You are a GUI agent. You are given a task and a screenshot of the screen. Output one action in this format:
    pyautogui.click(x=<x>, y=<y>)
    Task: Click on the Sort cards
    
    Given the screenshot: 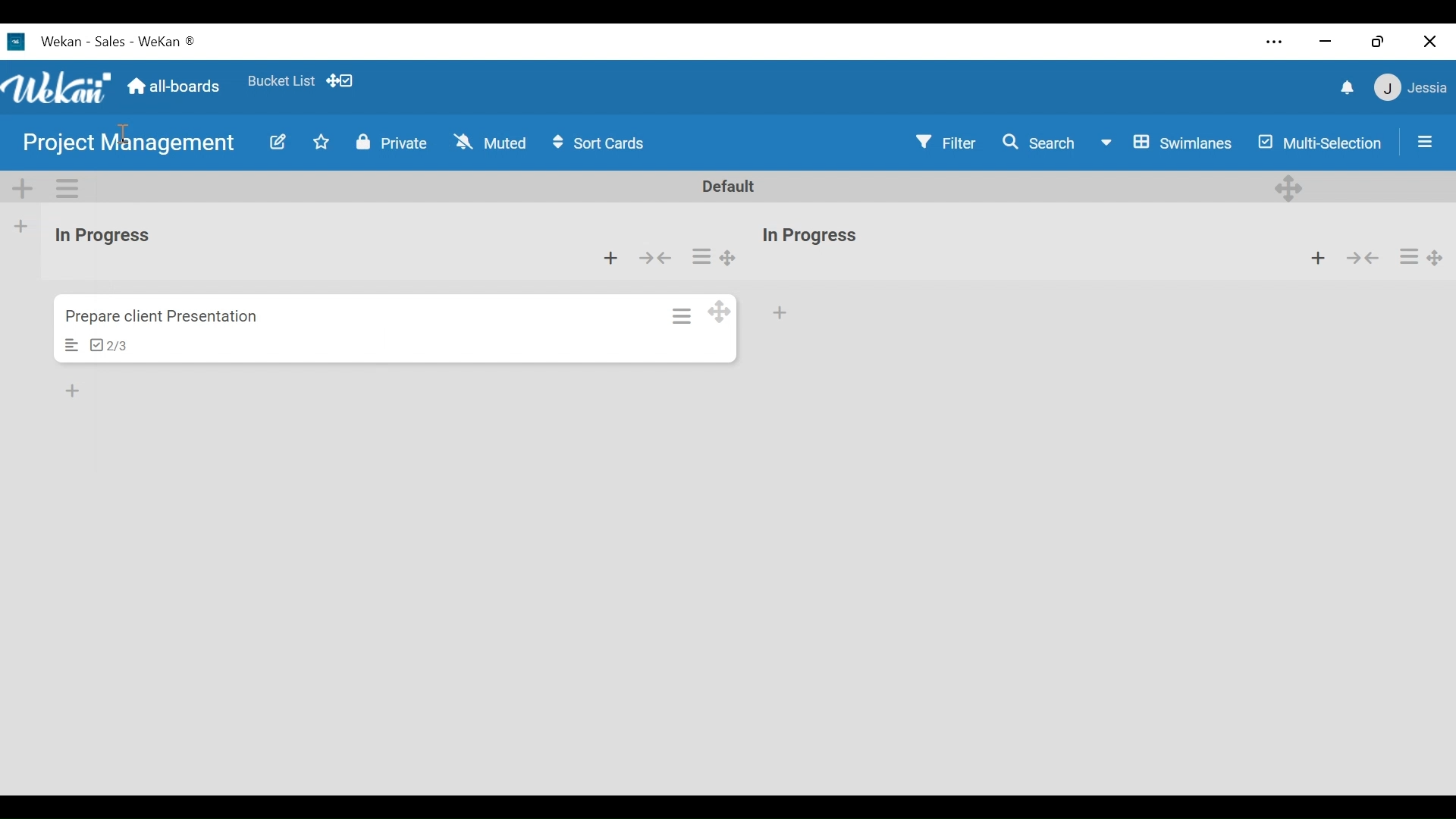 What is the action you would take?
    pyautogui.click(x=598, y=143)
    